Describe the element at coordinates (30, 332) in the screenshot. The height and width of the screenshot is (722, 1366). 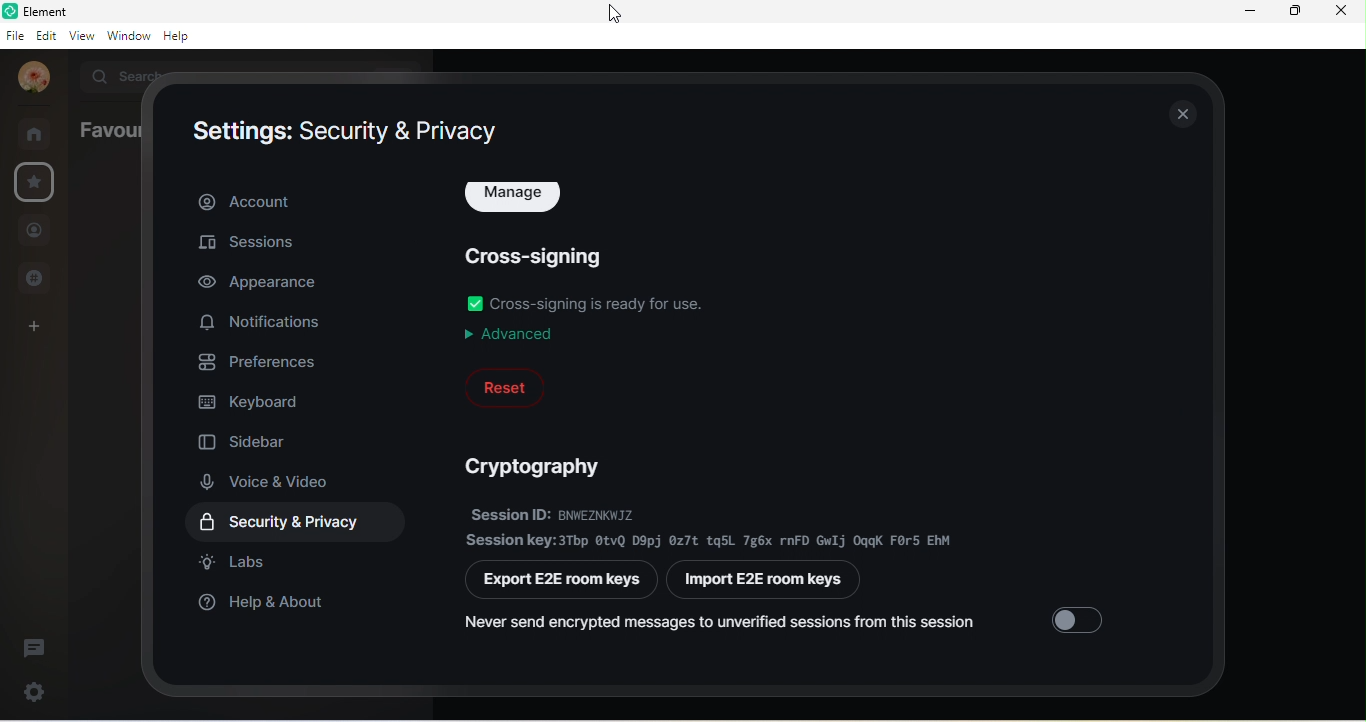
I see `add space` at that location.